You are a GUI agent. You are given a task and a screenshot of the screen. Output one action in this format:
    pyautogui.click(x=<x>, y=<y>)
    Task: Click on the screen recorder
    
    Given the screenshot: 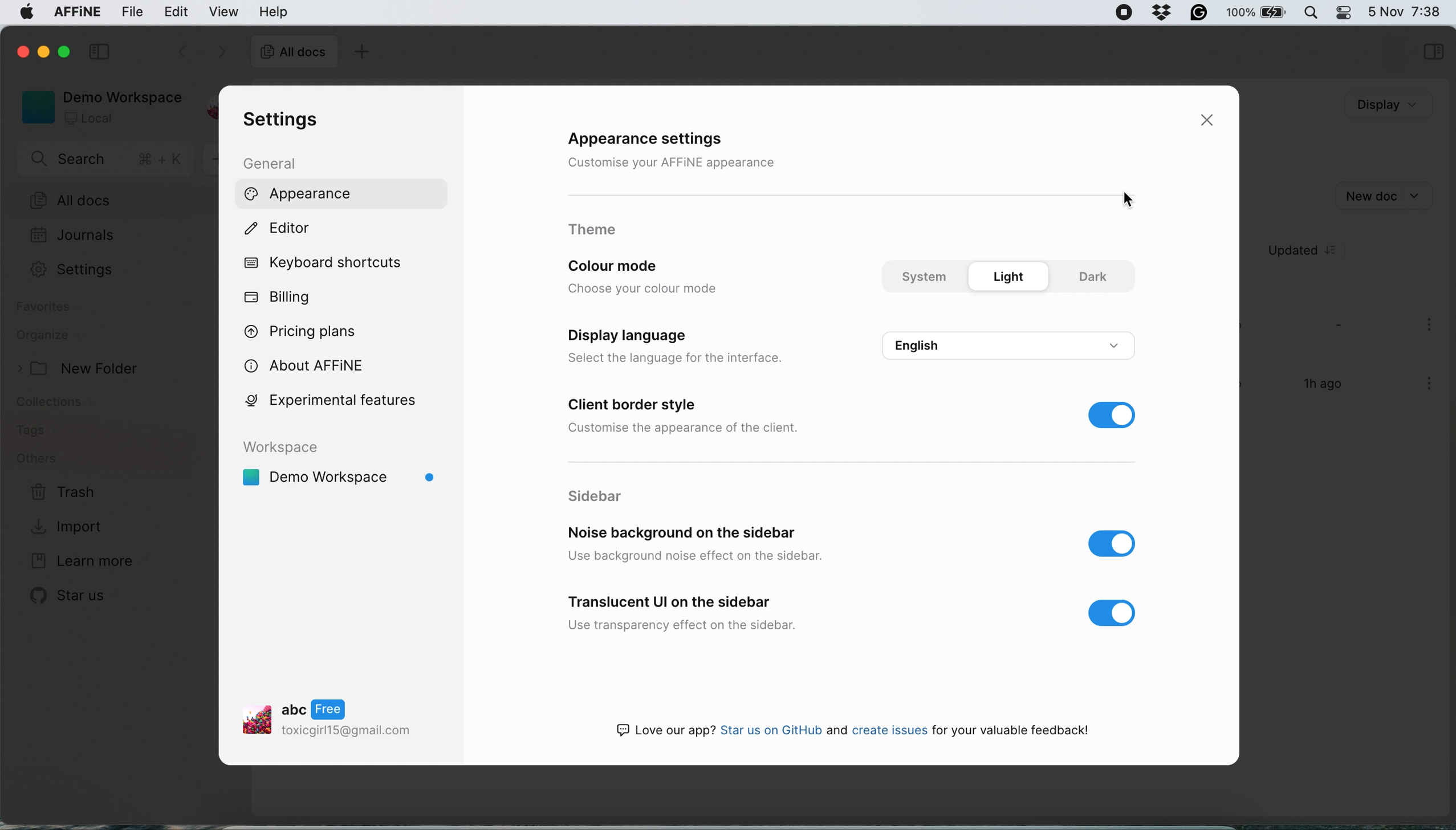 What is the action you would take?
    pyautogui.click(x=1124, y=13)
    